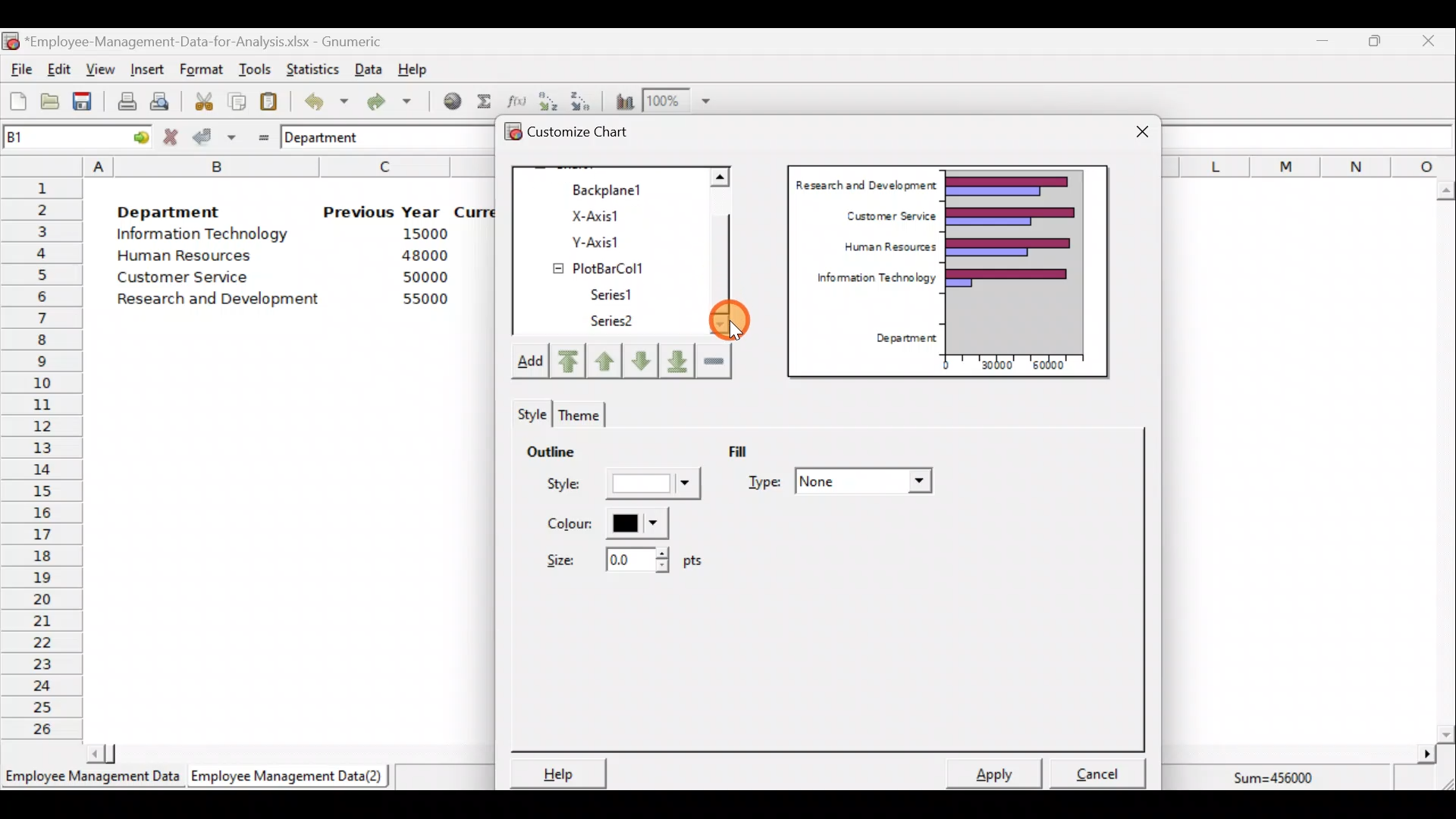  I want to click on Scroll bar, so click(1445, 462).